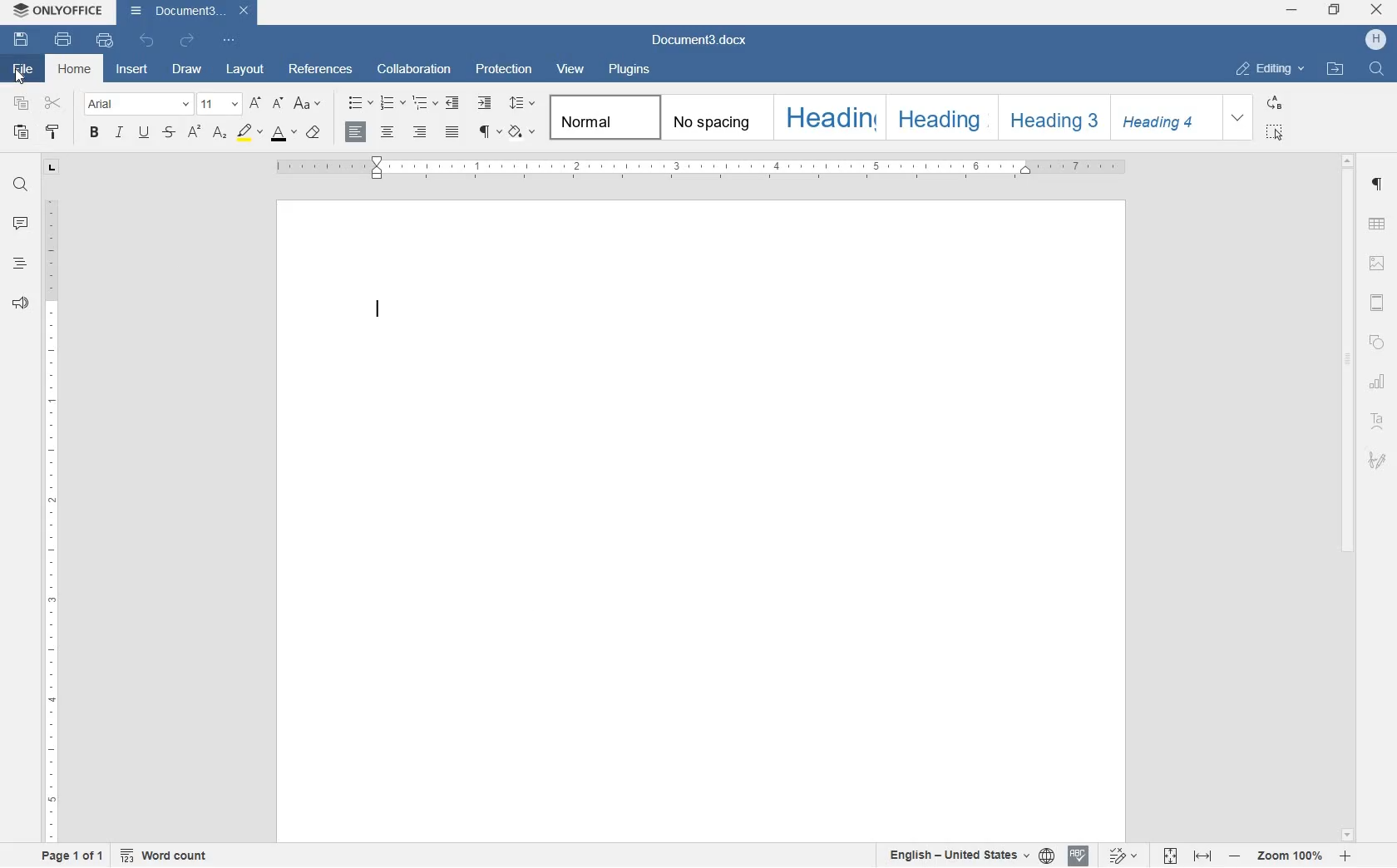 The image size is (1397, 868). I want to click on file, so click(23, 69).